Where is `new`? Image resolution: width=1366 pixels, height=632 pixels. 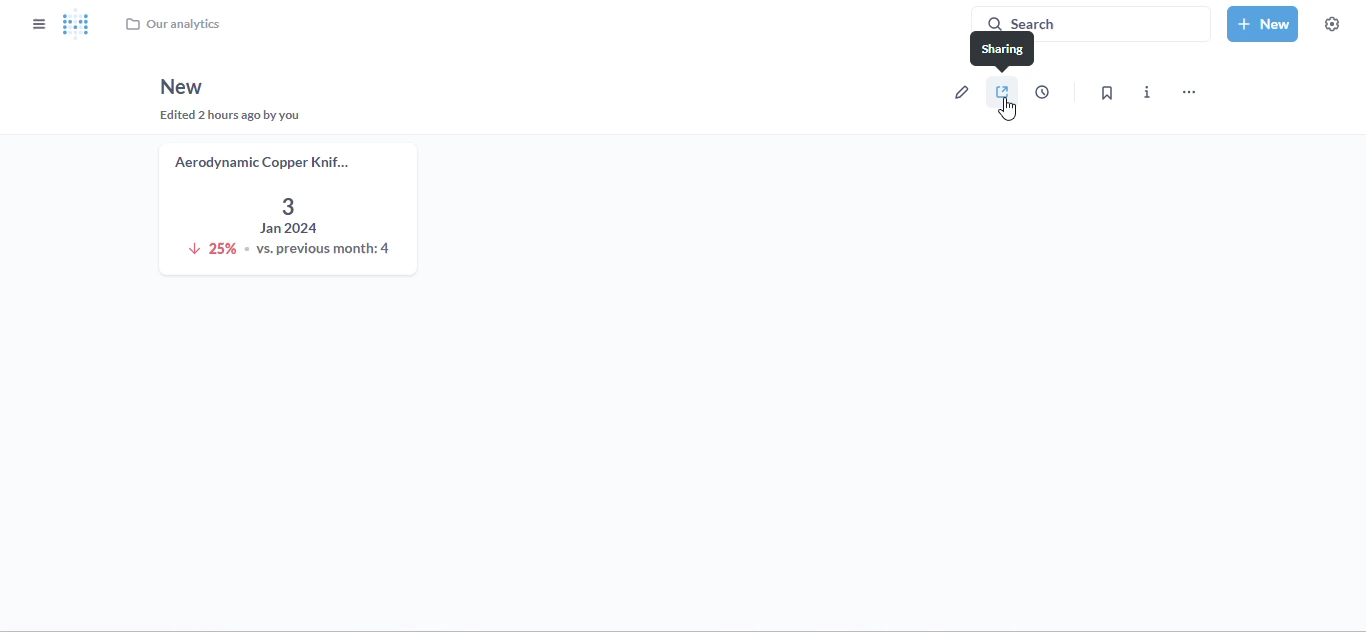 new is located at coordinates (1263, 23).